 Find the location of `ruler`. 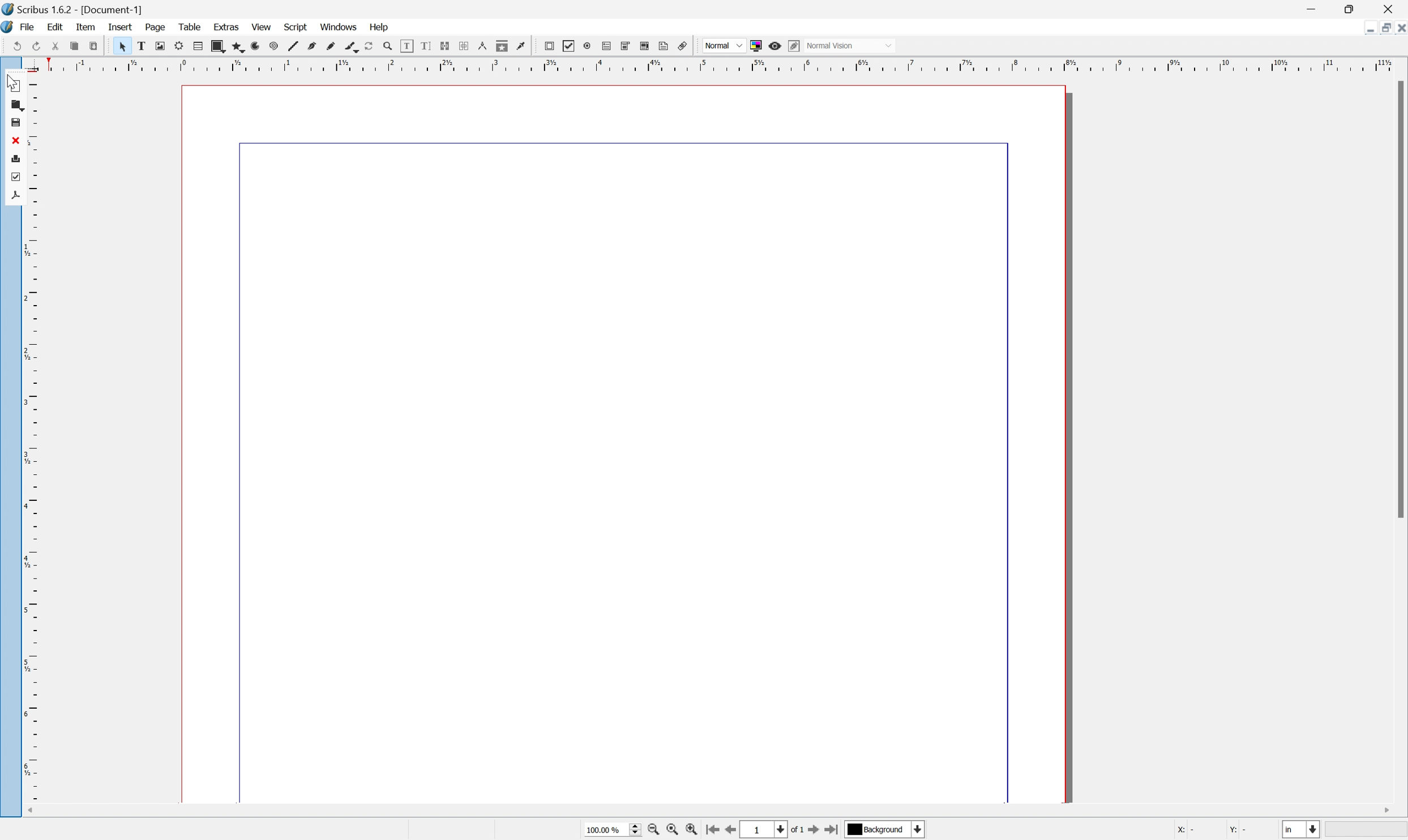

ruler is located at coordinates (13, 506).